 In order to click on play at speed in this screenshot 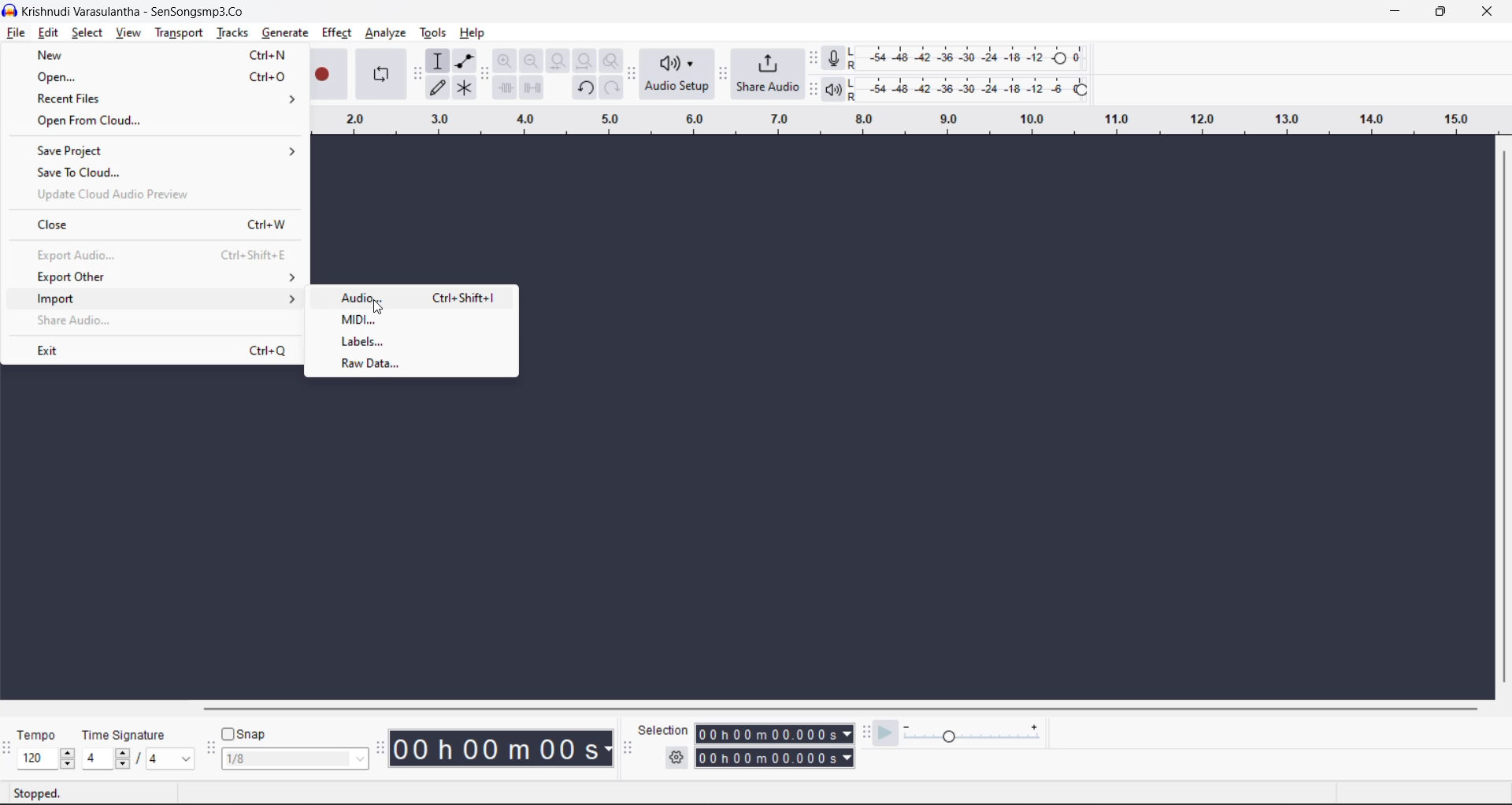, I will do `click(885, 733)`.